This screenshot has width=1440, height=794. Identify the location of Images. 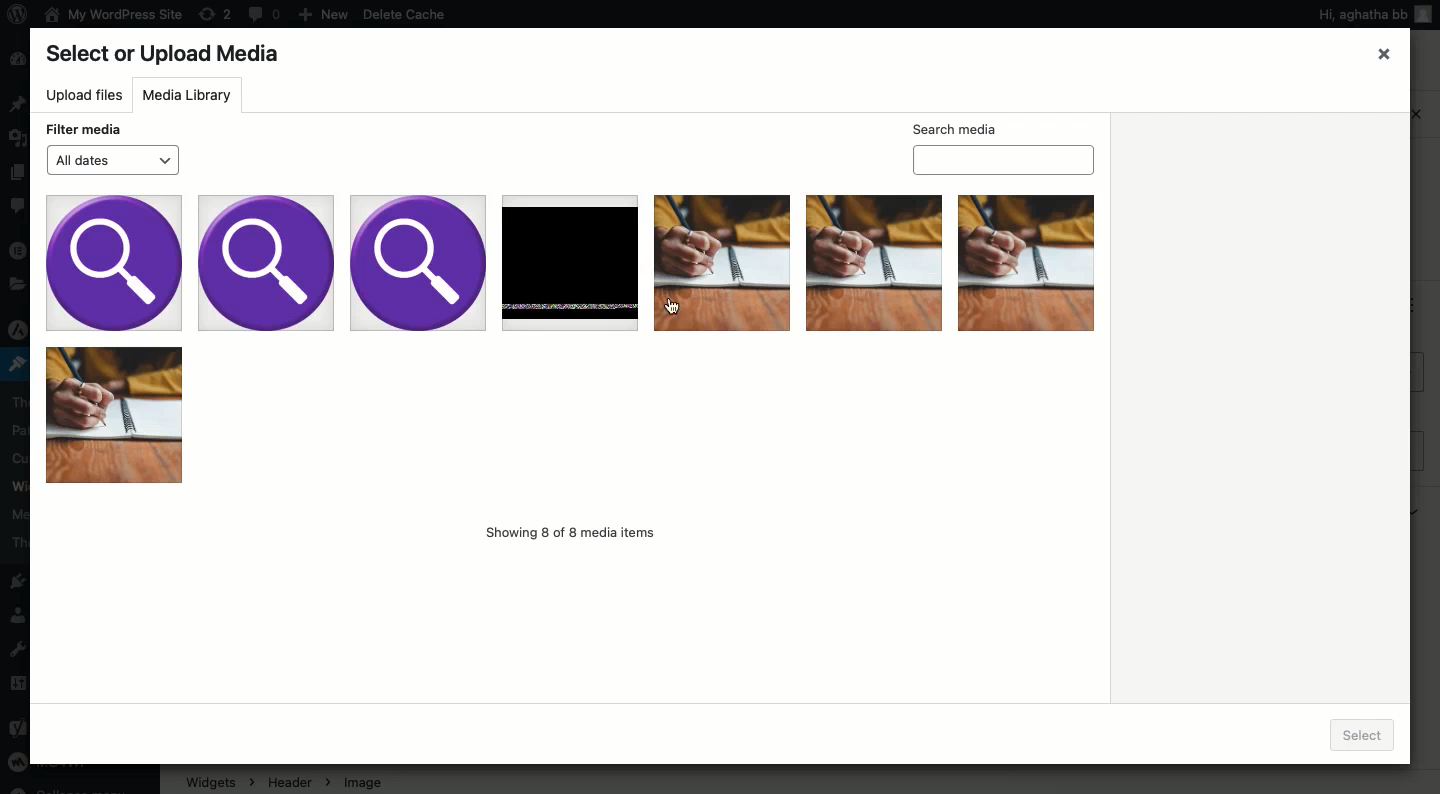
(571, 339).